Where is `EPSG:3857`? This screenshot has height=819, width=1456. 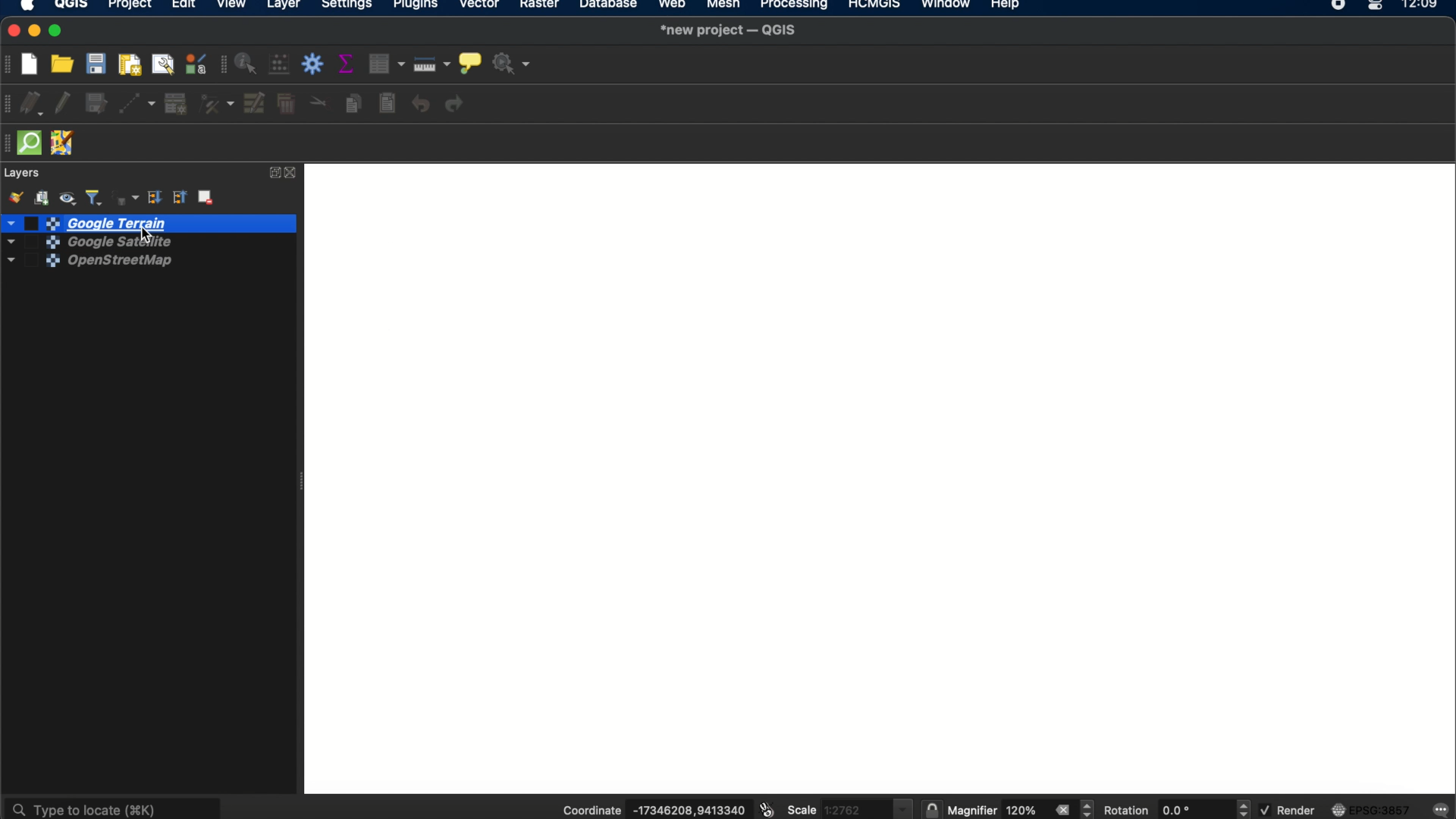 EPSG:3857 is located at coordinates (1374, 809).